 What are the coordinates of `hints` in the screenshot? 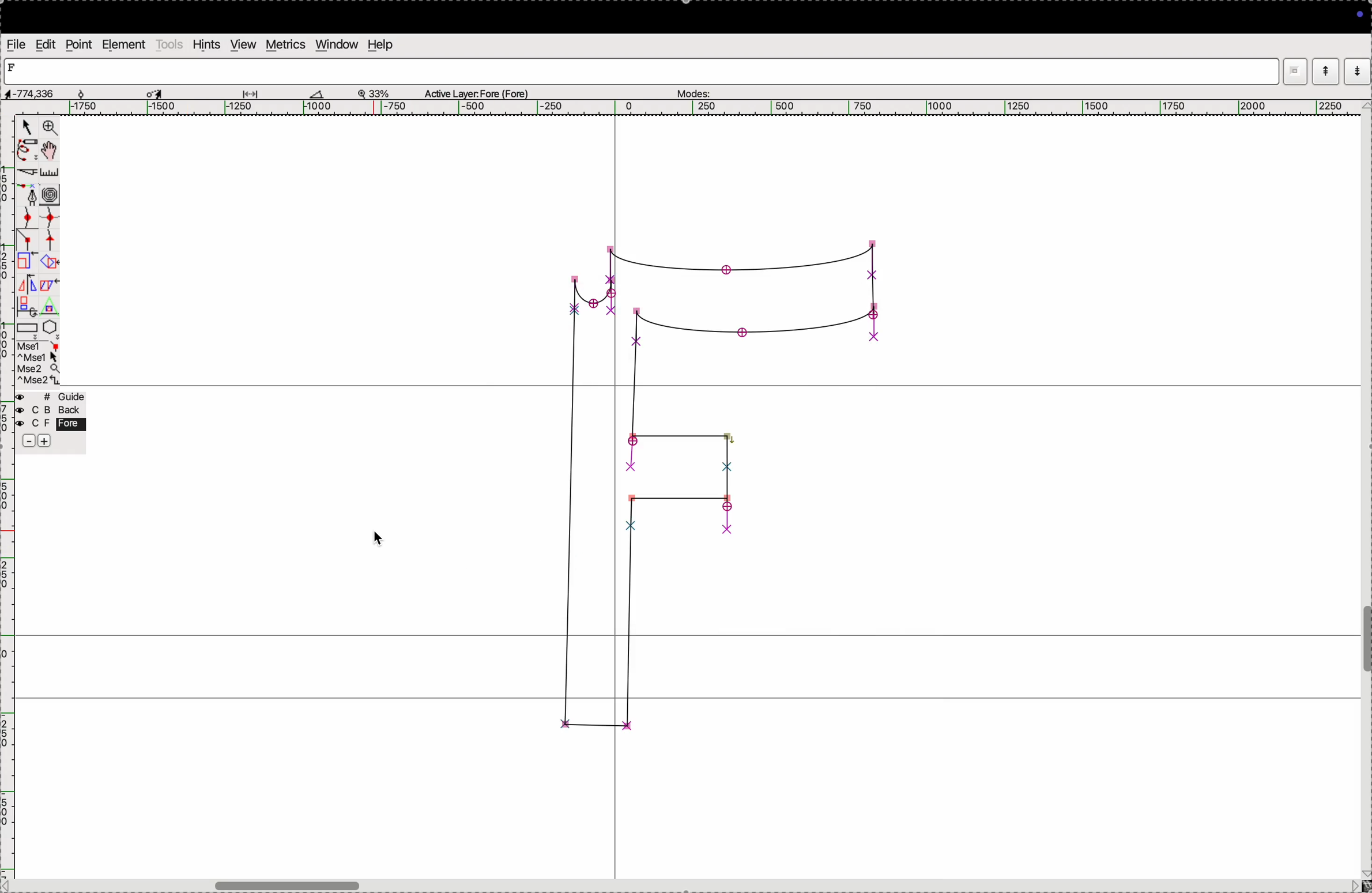 It's located at (207, 44).